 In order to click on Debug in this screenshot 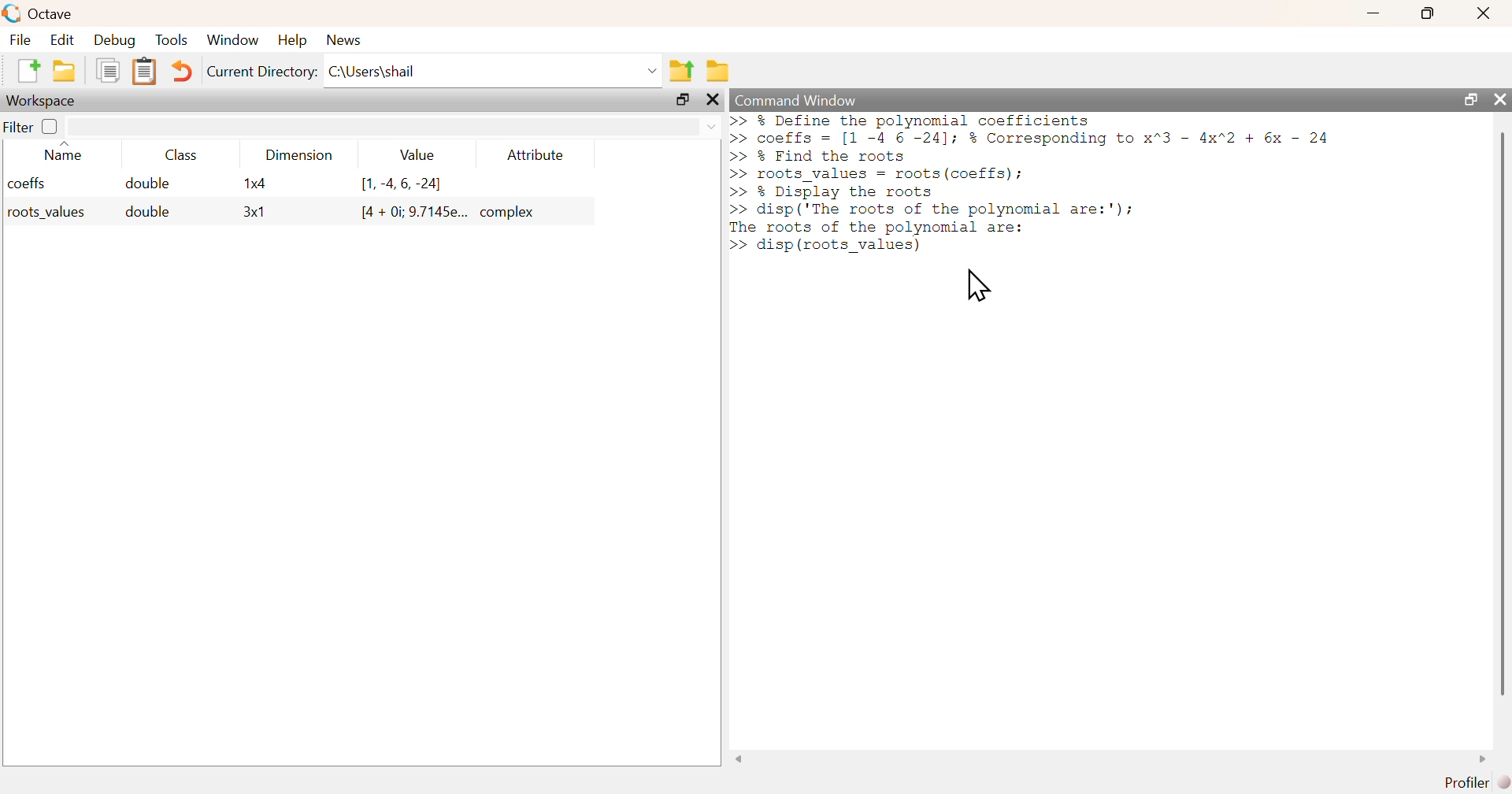, I will do `click(117, 41)`.